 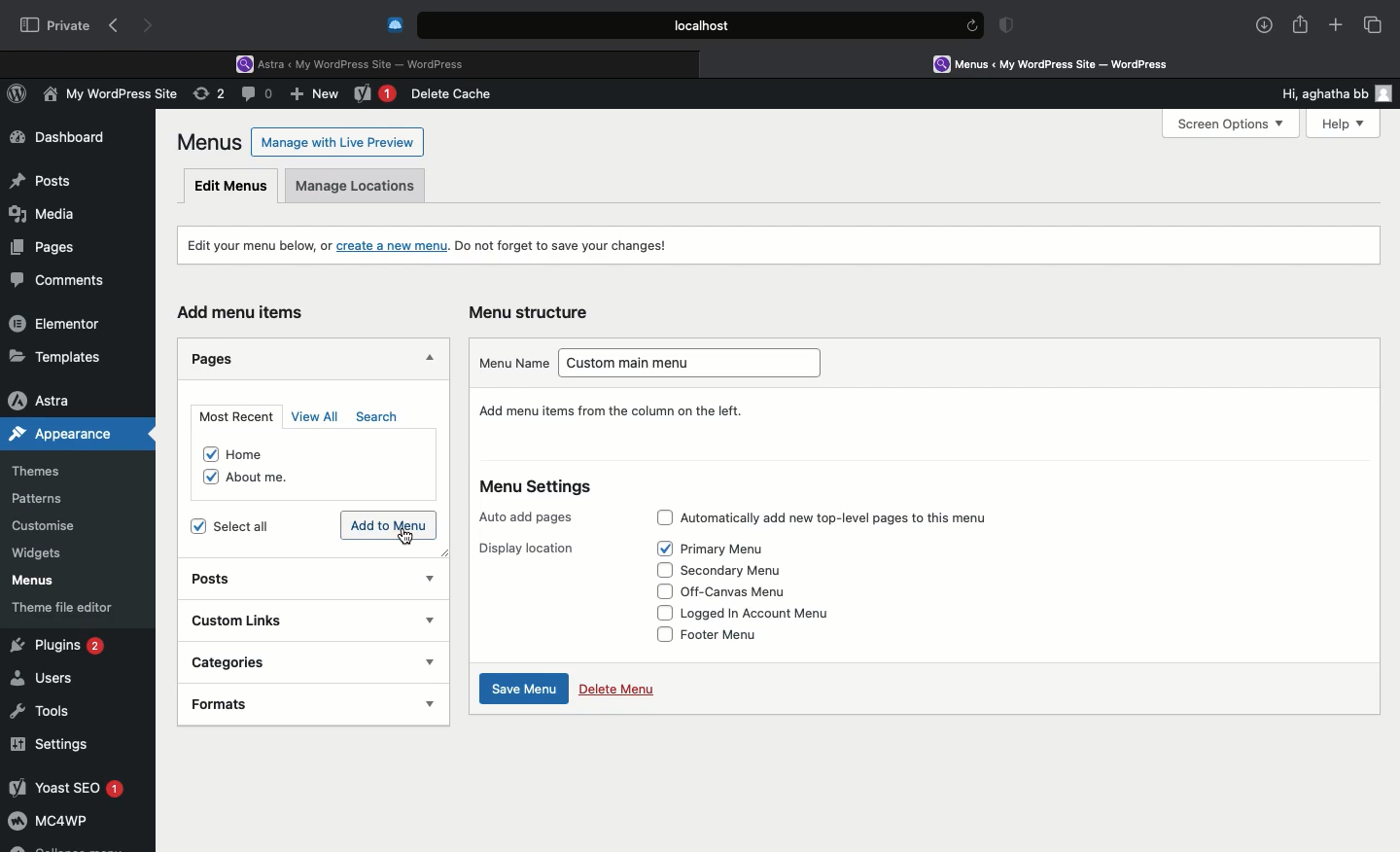 I want to click on Pages, so click(x=218, y=357).